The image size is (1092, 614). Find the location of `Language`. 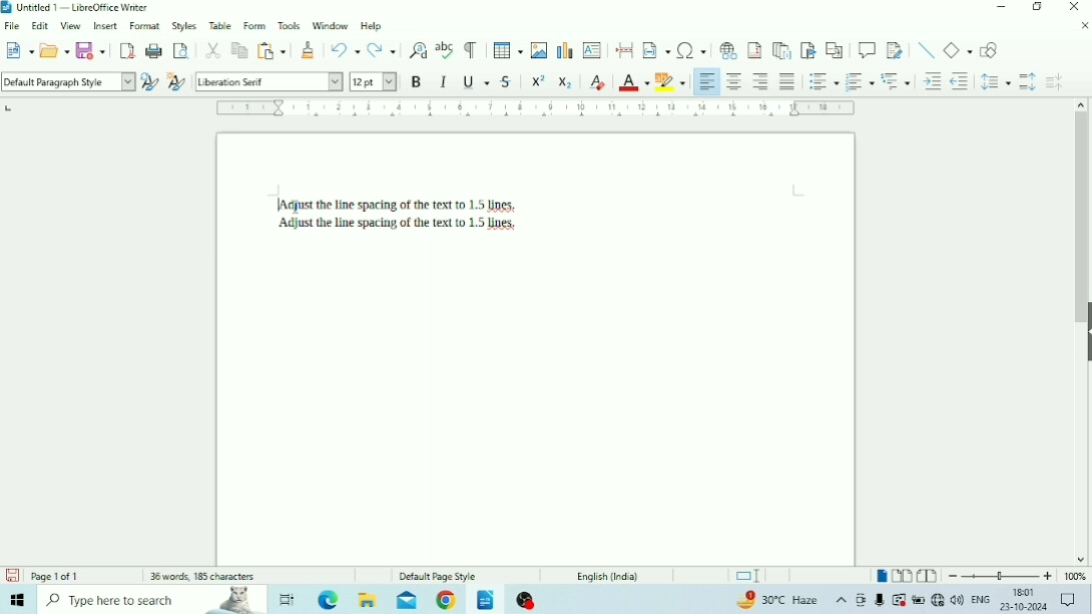

Language is located at coordinates (608, 576).